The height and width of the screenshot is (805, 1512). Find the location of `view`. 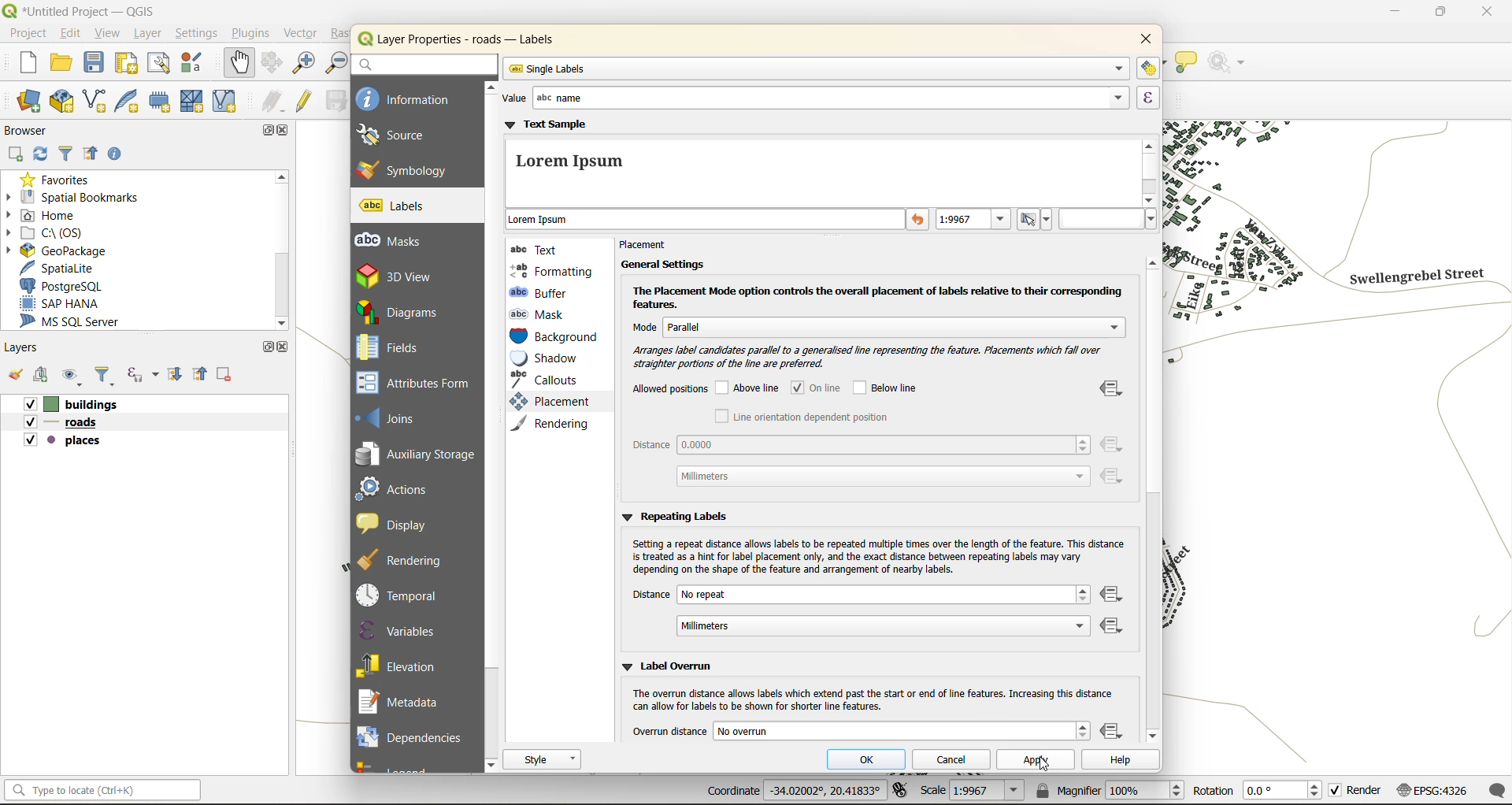

view is located at coordinates (108, 34).